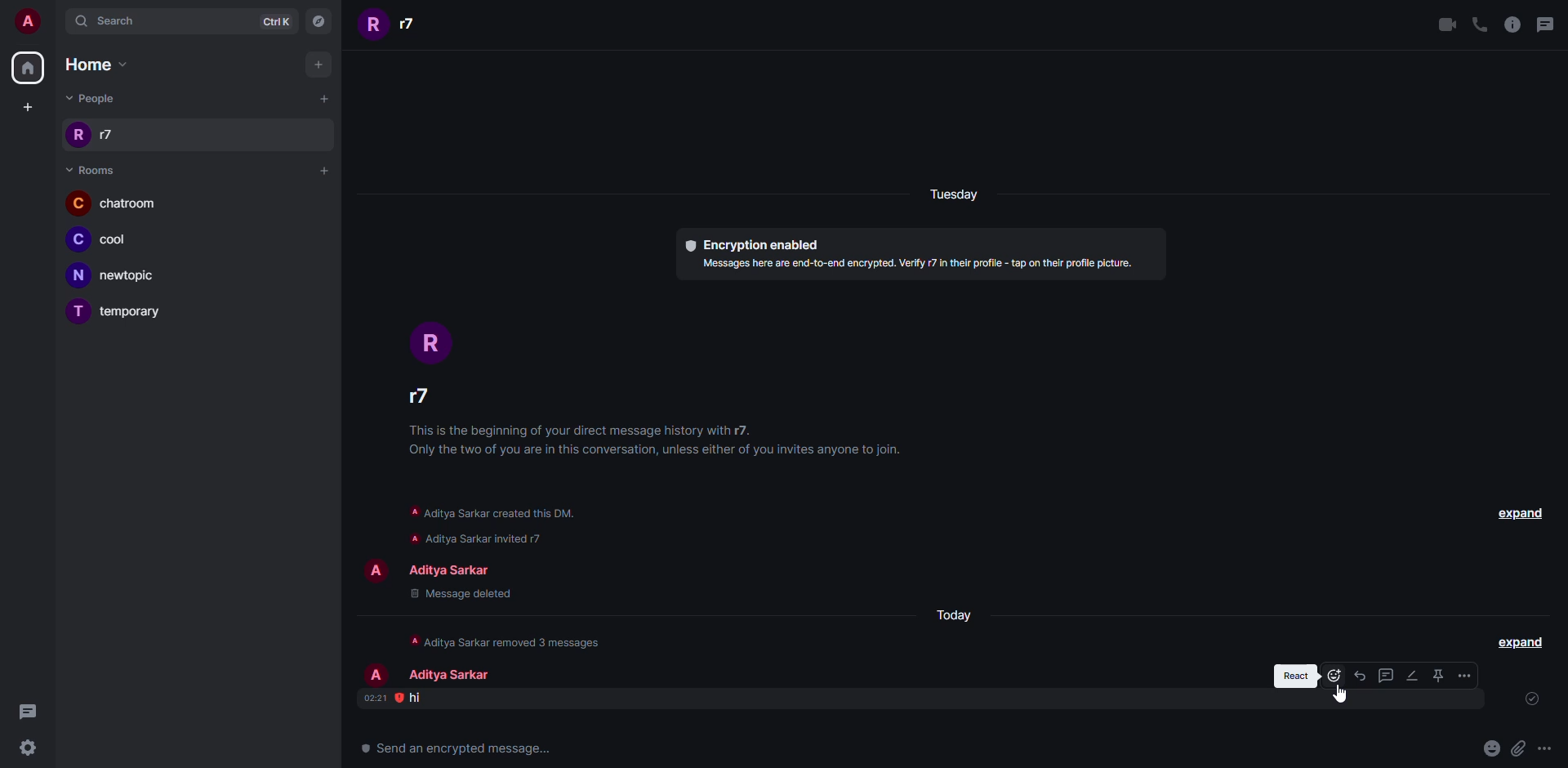 The width and height of the screenshot is (1568, 768). I want to click on people, so click(457, 572).